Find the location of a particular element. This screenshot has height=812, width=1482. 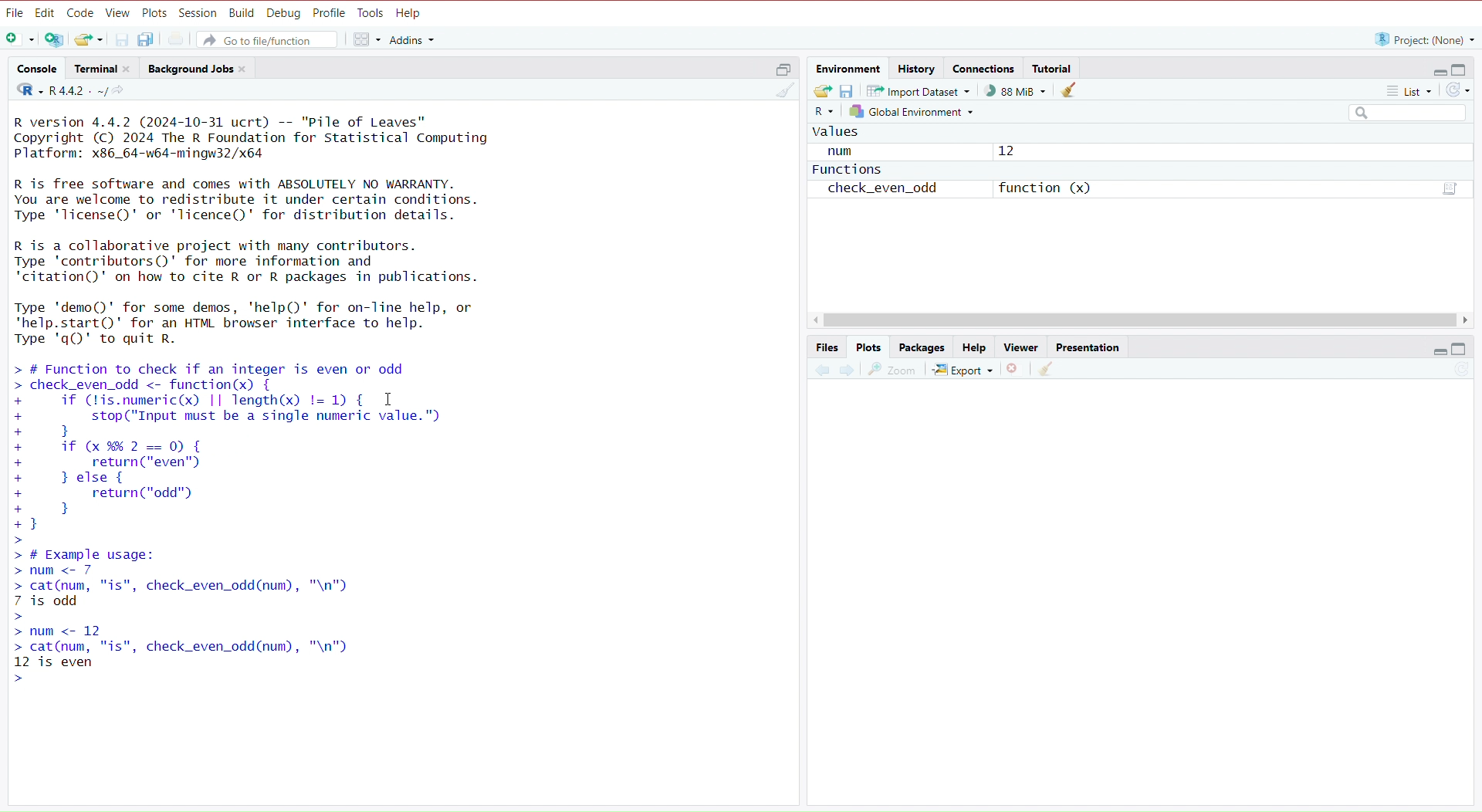

open an existing file is located at coordinates (90, 39).